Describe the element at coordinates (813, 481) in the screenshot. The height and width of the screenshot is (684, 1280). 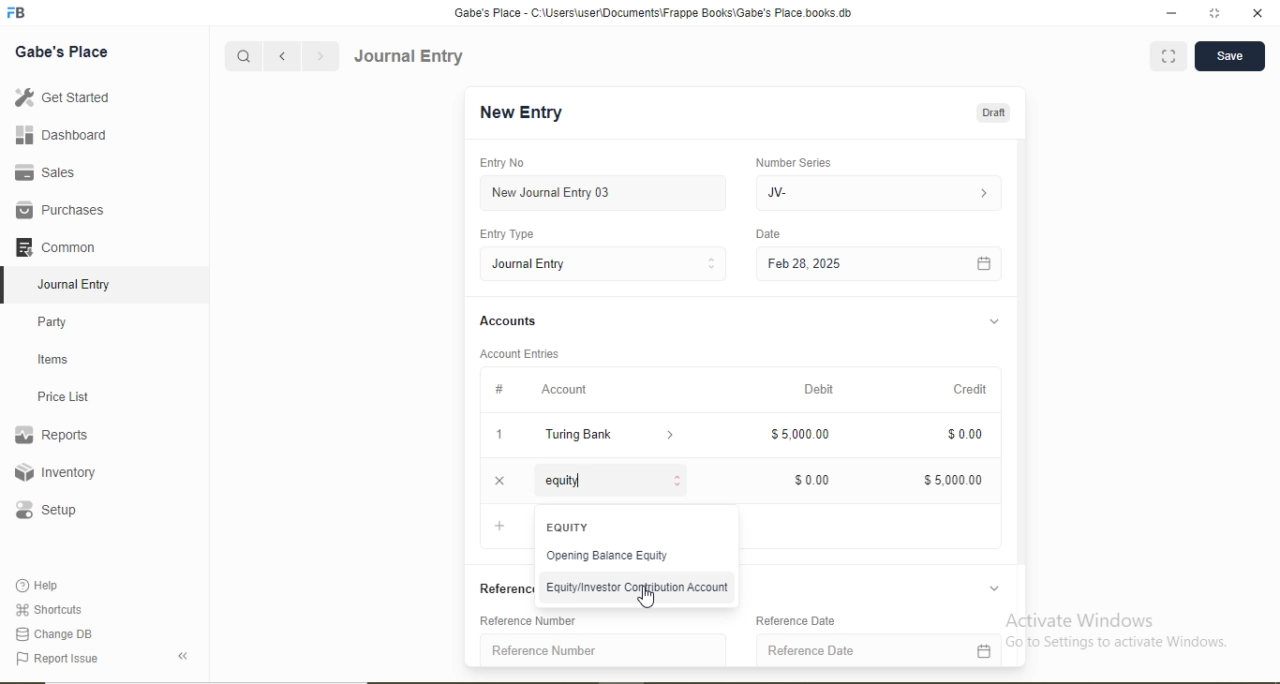
I see `$0.00` at that location.